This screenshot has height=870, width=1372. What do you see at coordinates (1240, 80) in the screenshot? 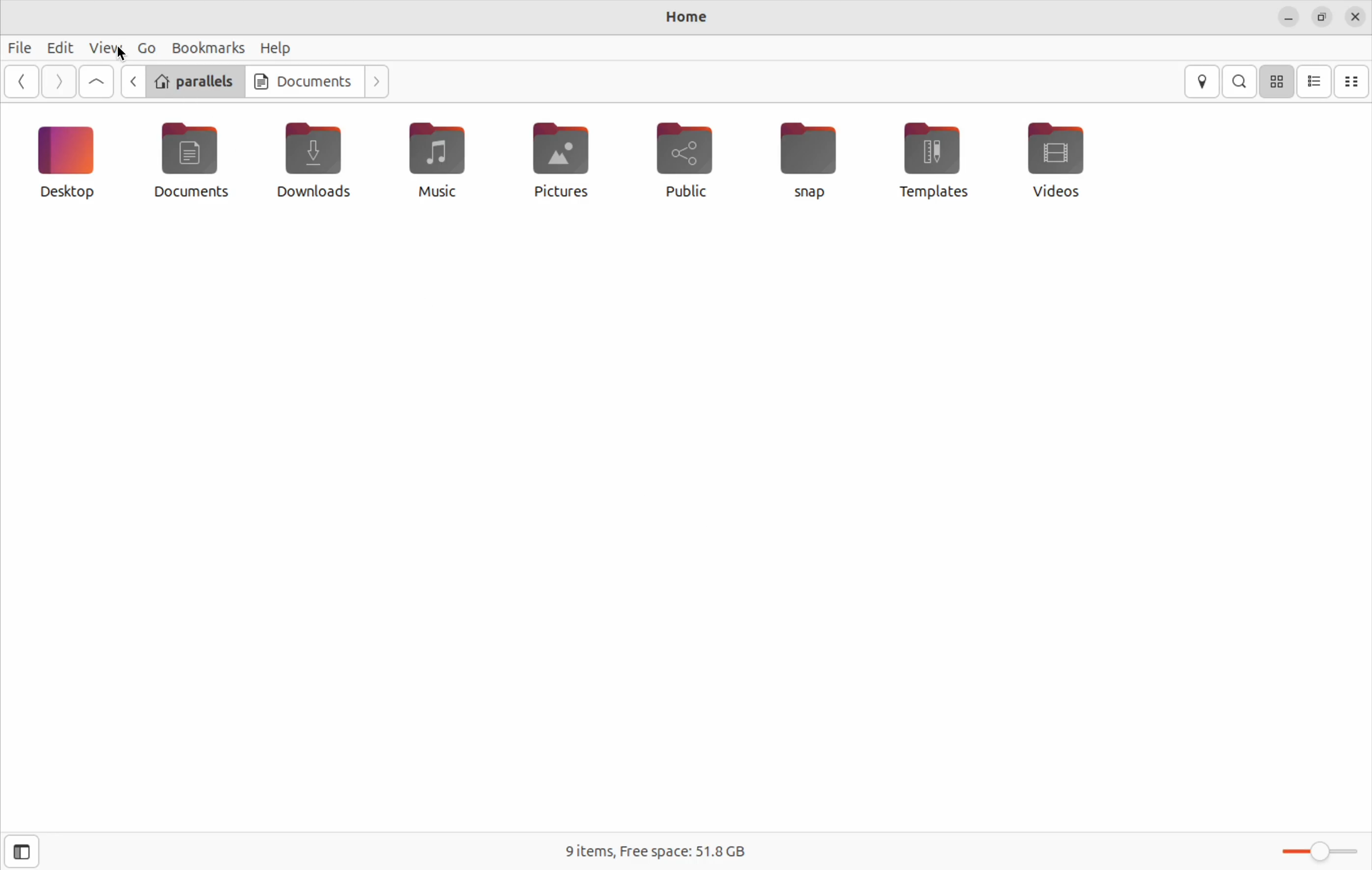
I see `search bar` at bounding box center [1240, 80].